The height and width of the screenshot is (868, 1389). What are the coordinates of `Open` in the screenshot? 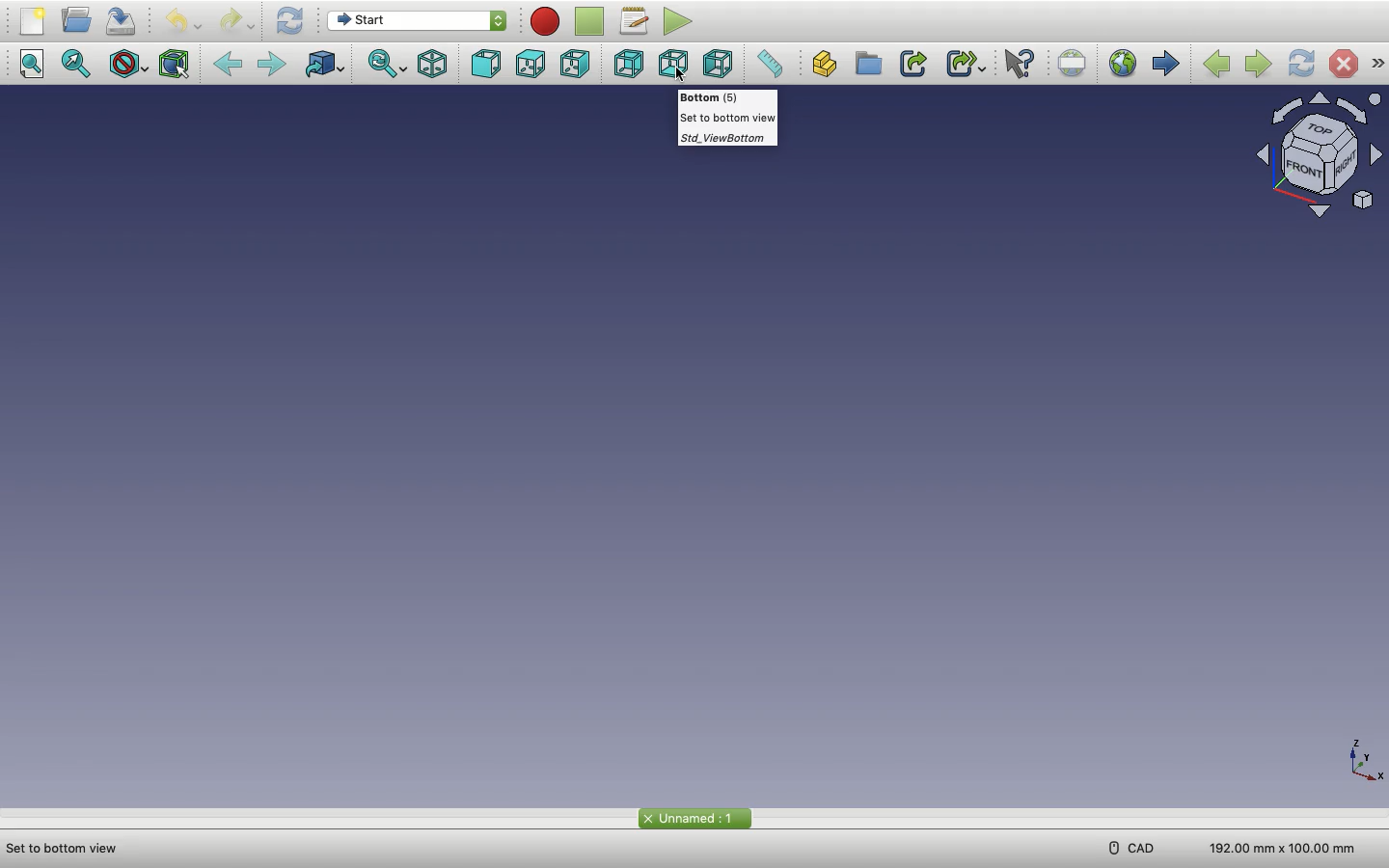 It's located at (80, 20).